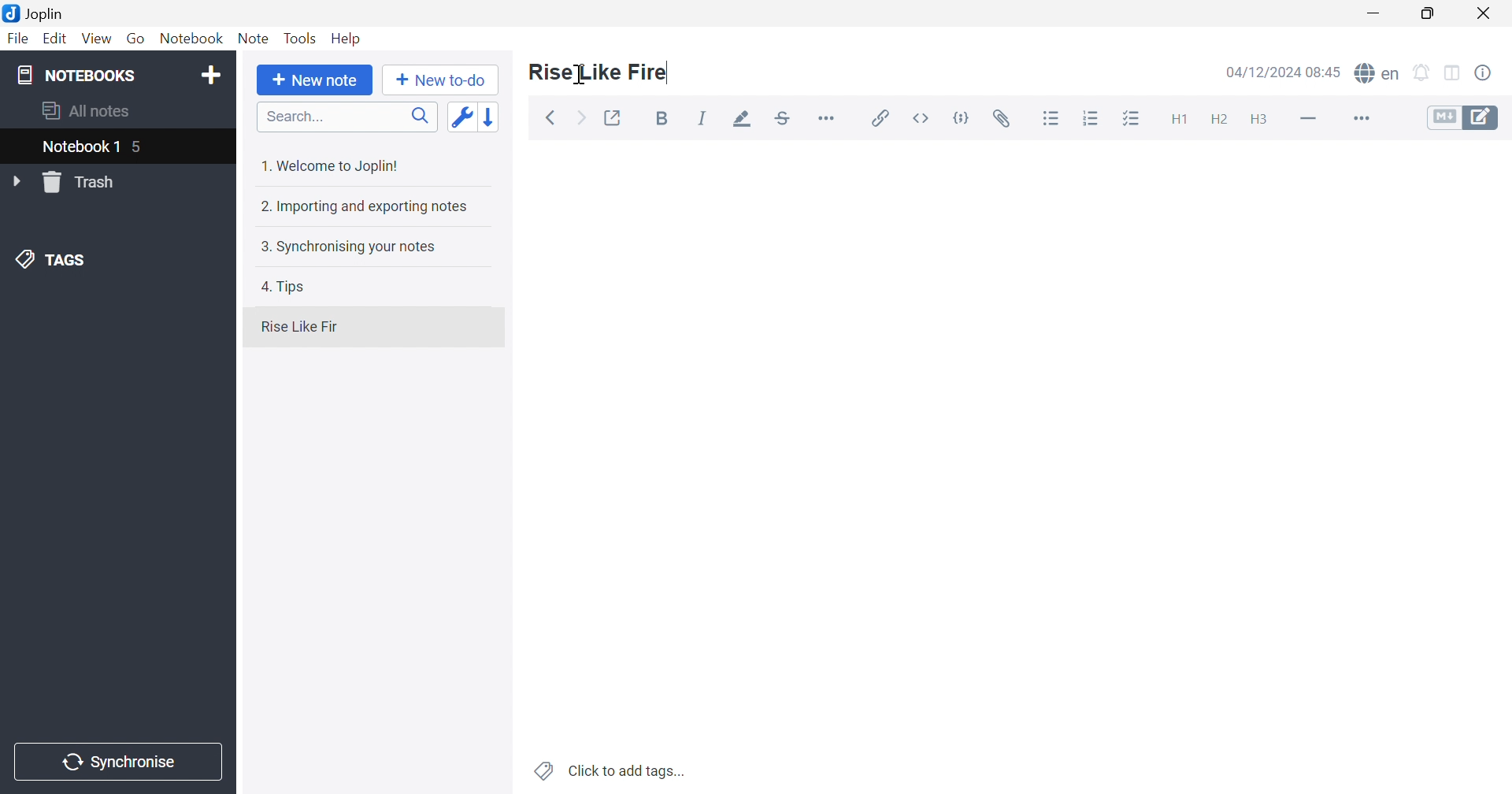  I want to click on 1. Welcome to Joplin!, so click(338, 163).